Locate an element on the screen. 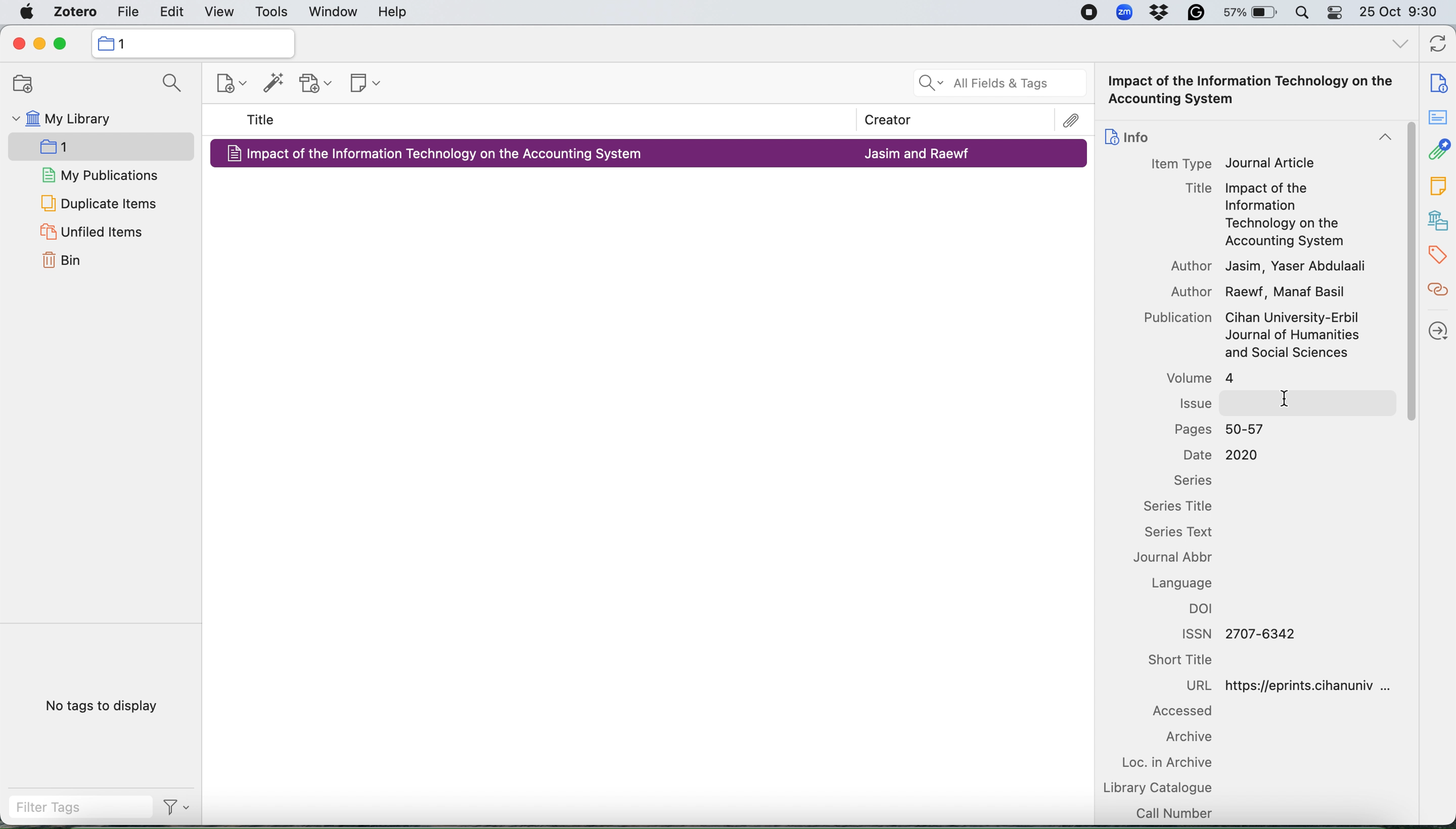 This screenshot has width=1456, height=829. zotero is located at coordinates (75, 12).